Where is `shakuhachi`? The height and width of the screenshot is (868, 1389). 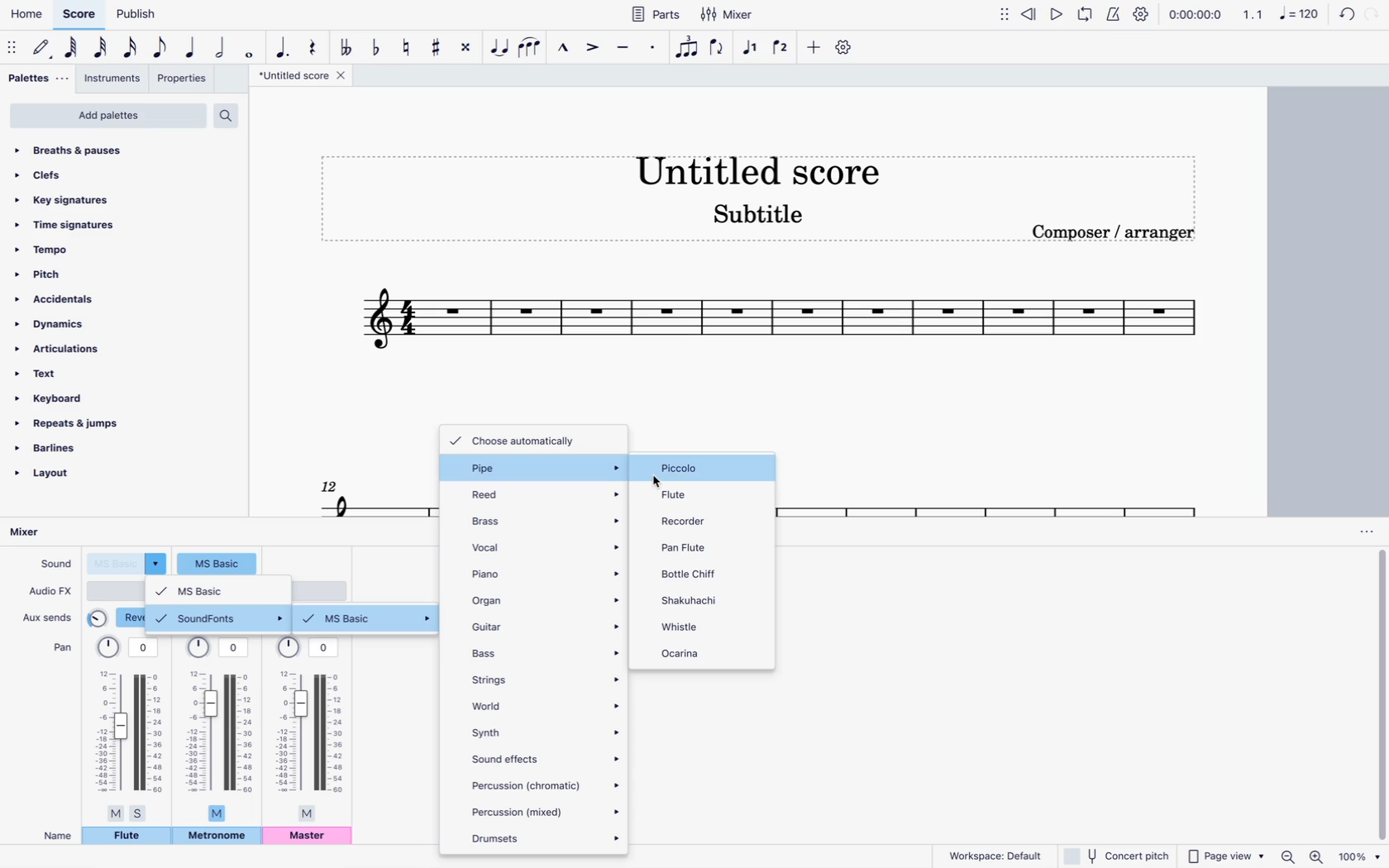 shakuhachi is located at coordinates (693, 602).